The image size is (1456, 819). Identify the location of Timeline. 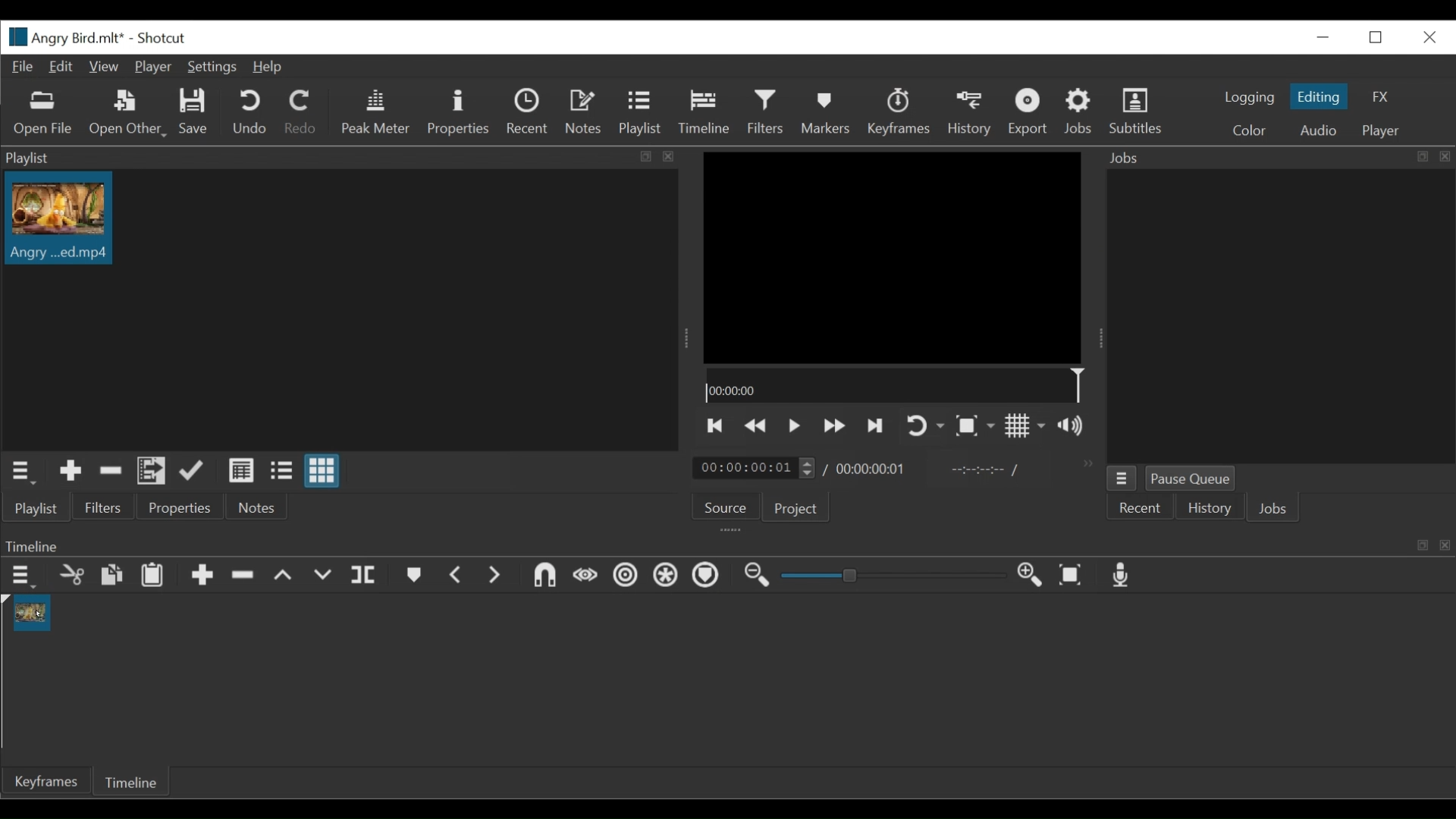
(706, 111).